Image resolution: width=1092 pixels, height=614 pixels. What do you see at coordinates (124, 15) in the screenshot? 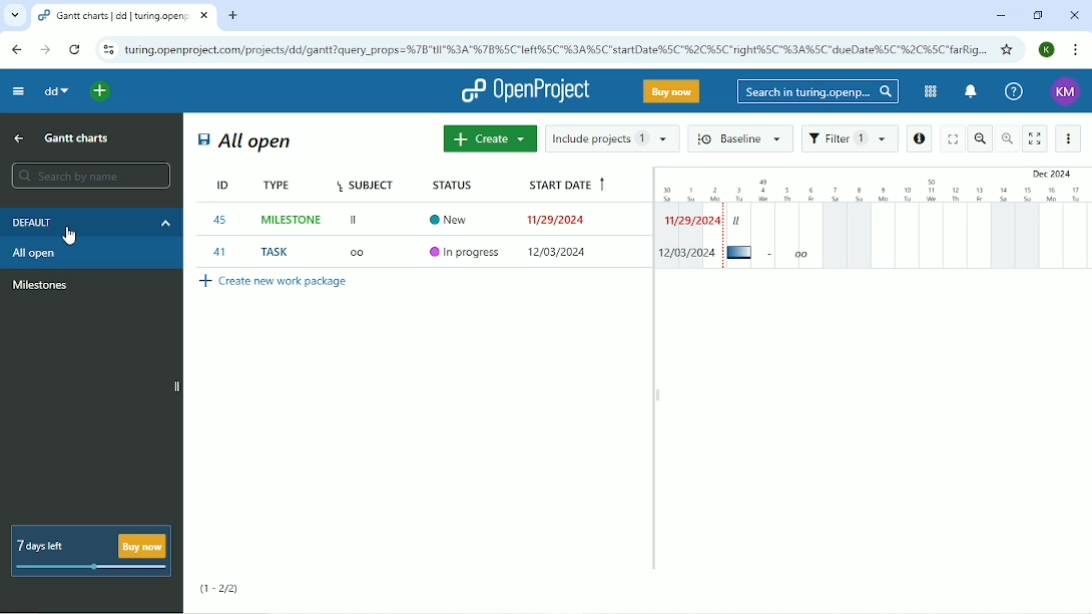
I see `Current tab` at bounding box center [124, 15].